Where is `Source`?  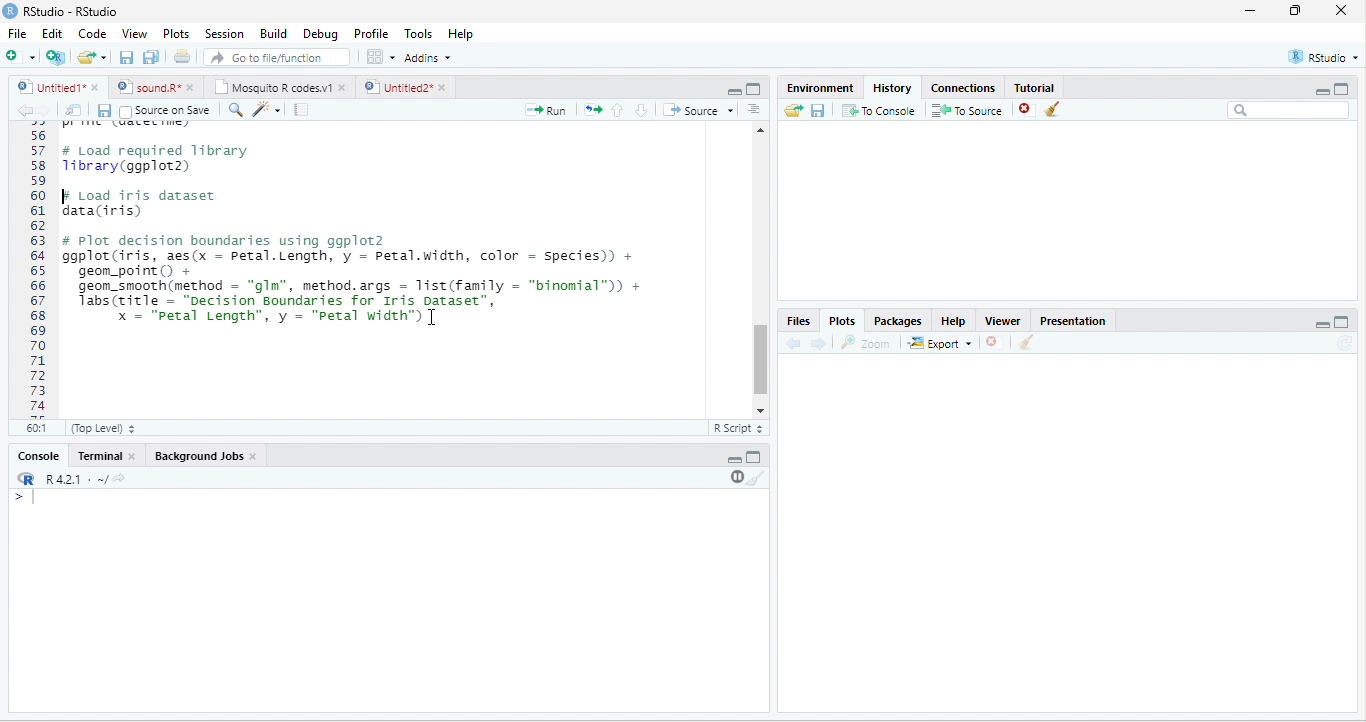
Source is located at coordinates (698, 110).